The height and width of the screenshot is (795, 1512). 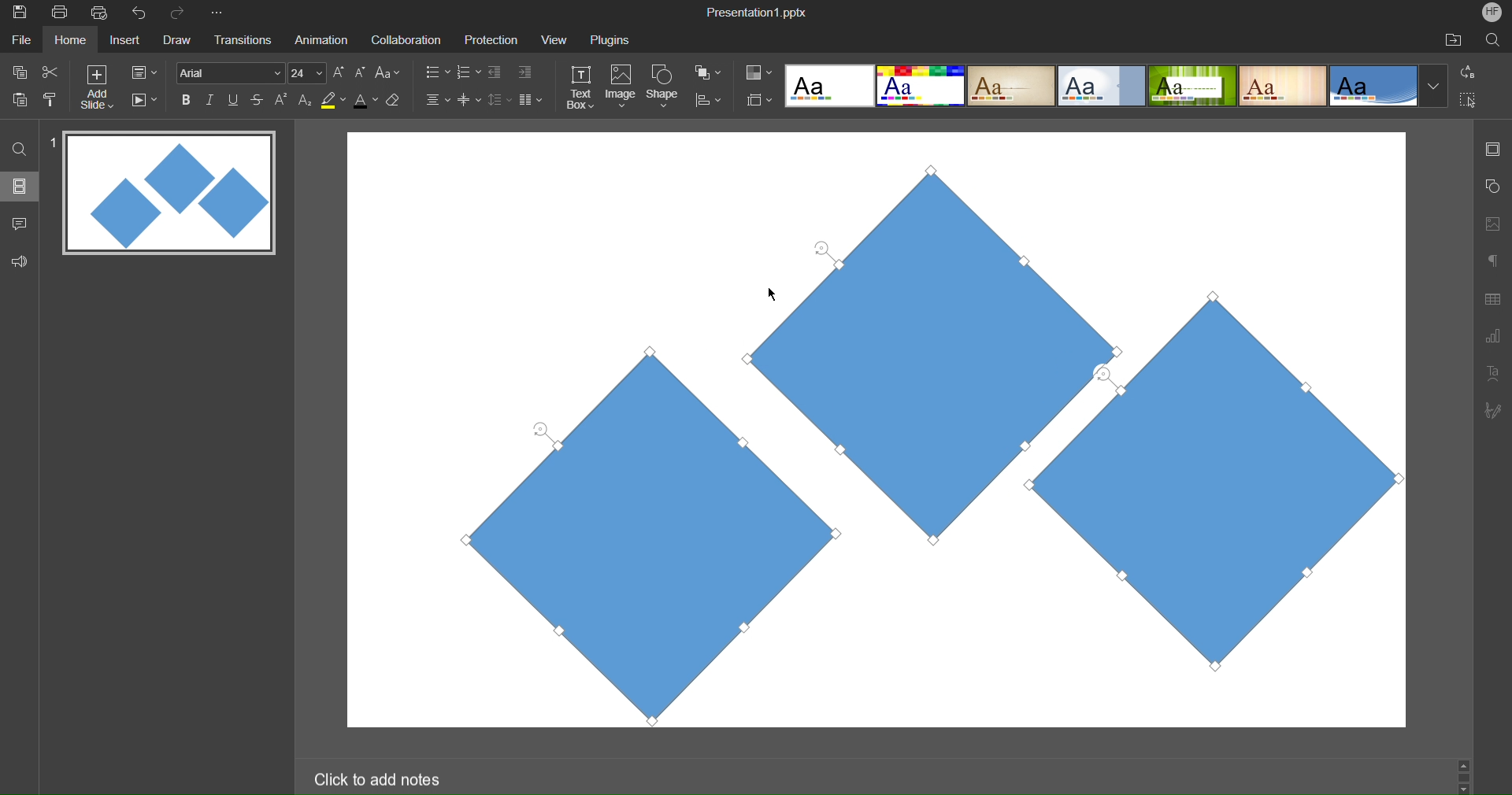 What do you see at coordinates (1491, 149) in the screenshot?
I see `Slide Settings` at bounding box center [1491, 149].